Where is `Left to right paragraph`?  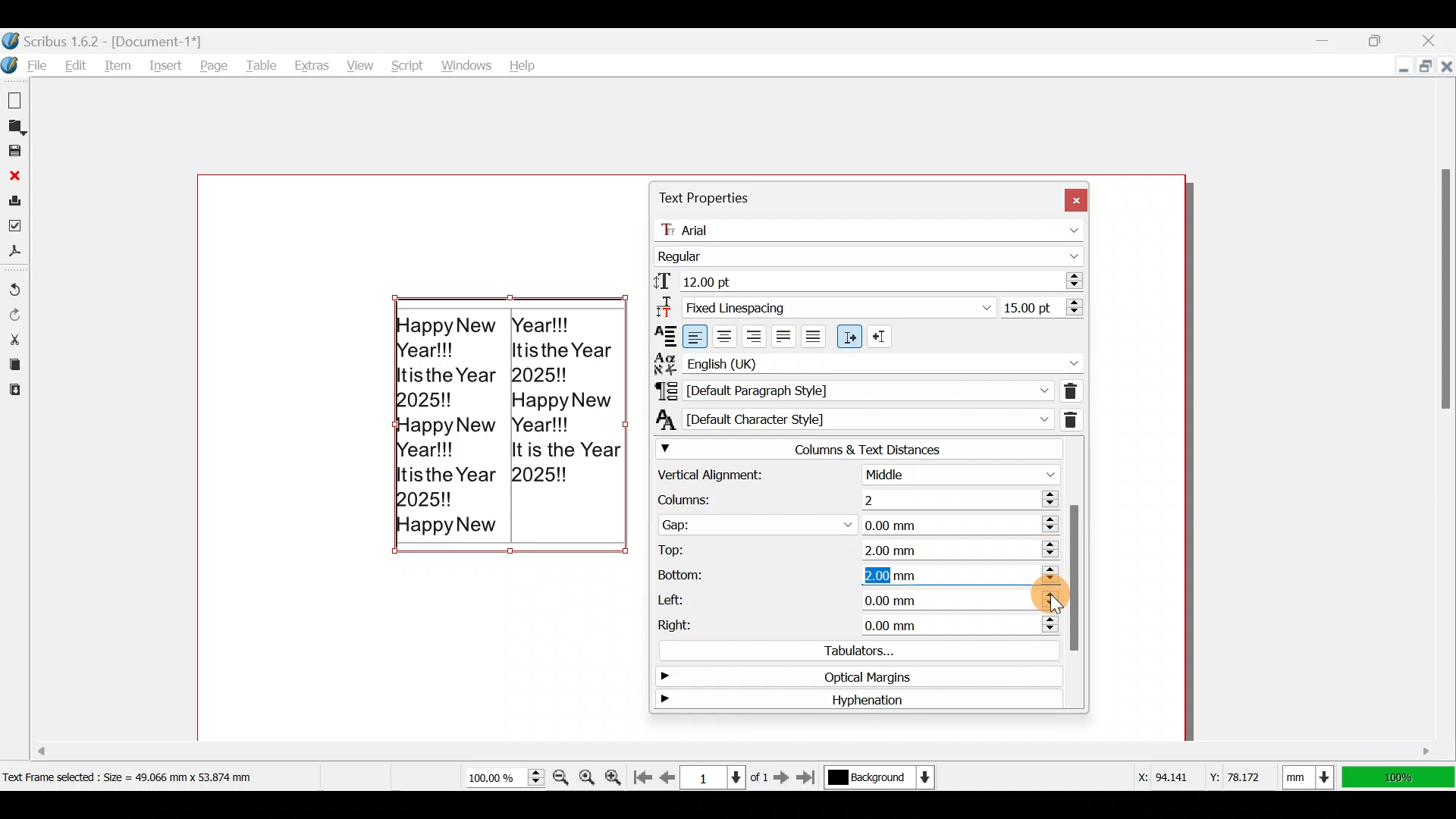
Left to right paragraph is located at coordinates (849, 337).